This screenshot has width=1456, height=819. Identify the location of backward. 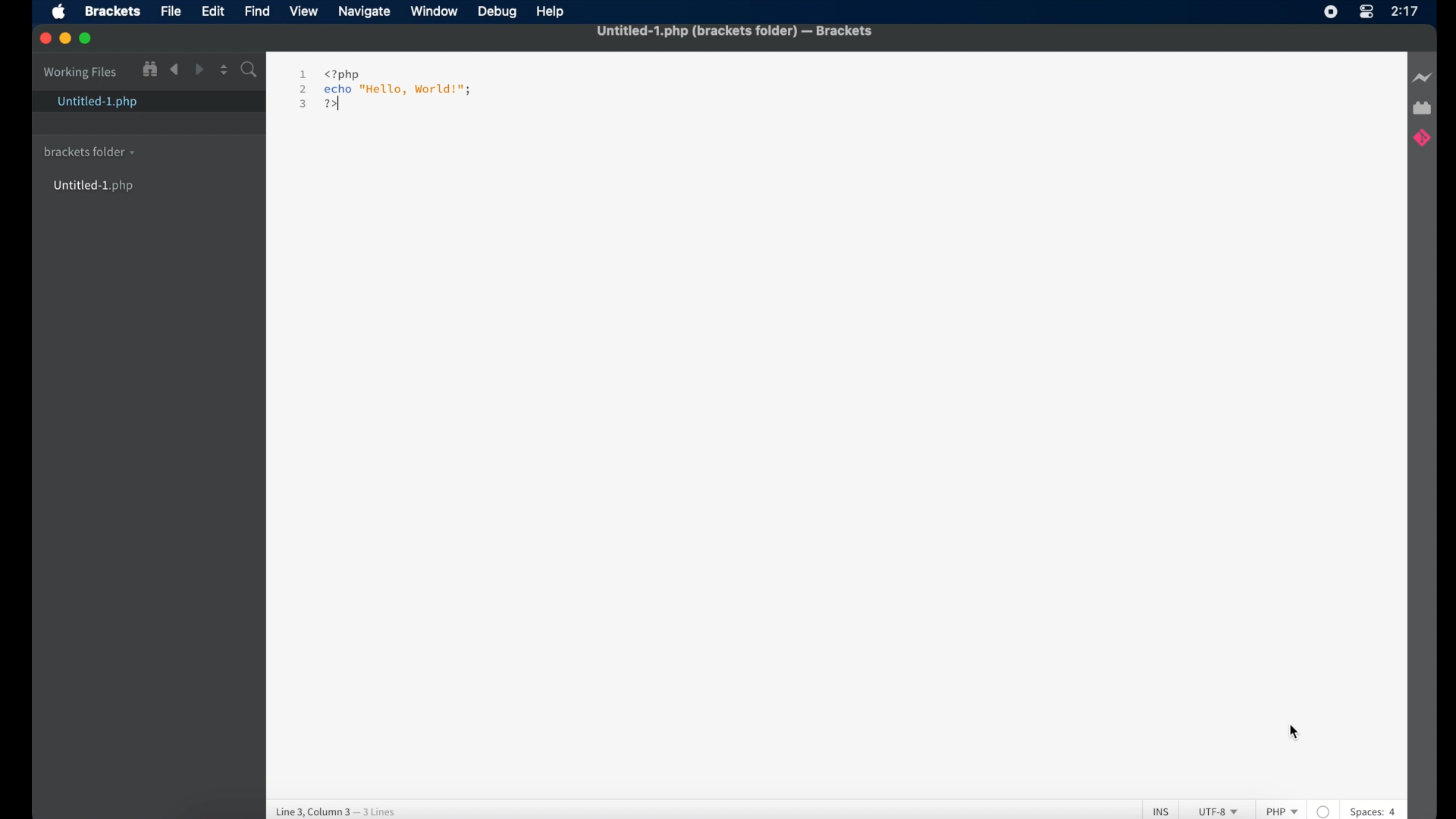
(174, 70).